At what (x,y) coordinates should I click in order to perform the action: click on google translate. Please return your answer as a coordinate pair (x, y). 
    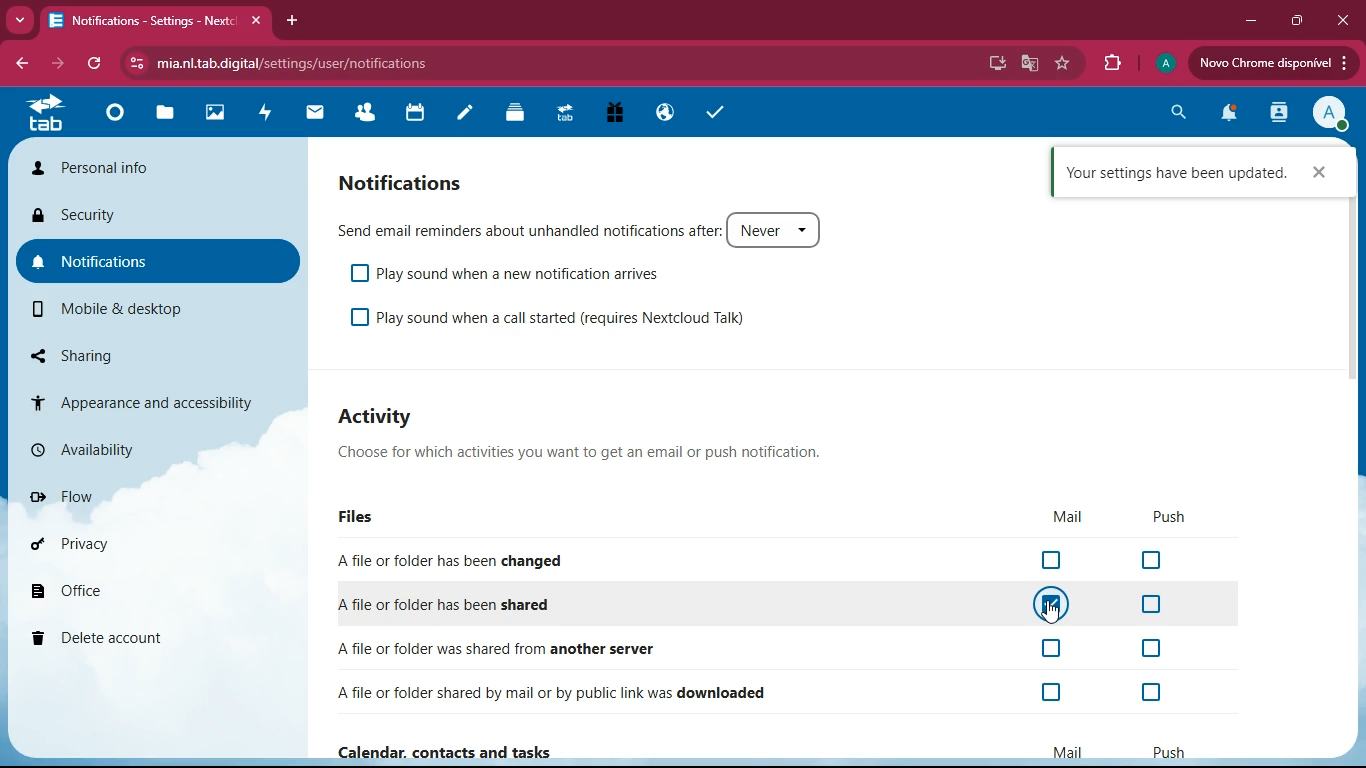
    Looking at the image, I should click on (1027, 64).